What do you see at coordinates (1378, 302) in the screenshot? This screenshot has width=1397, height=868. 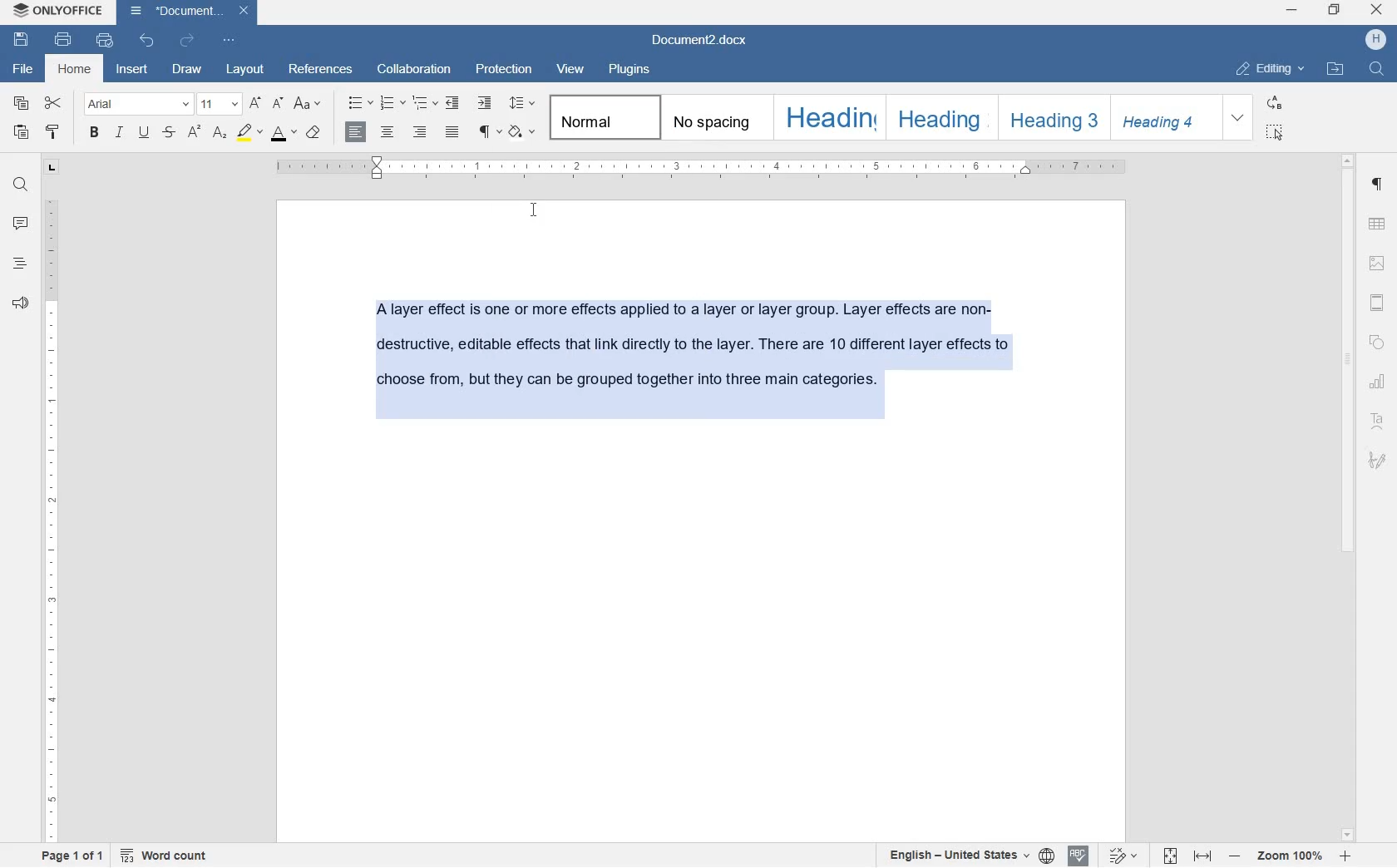 I see `headers & footers` at bounding box center [1378, 302].